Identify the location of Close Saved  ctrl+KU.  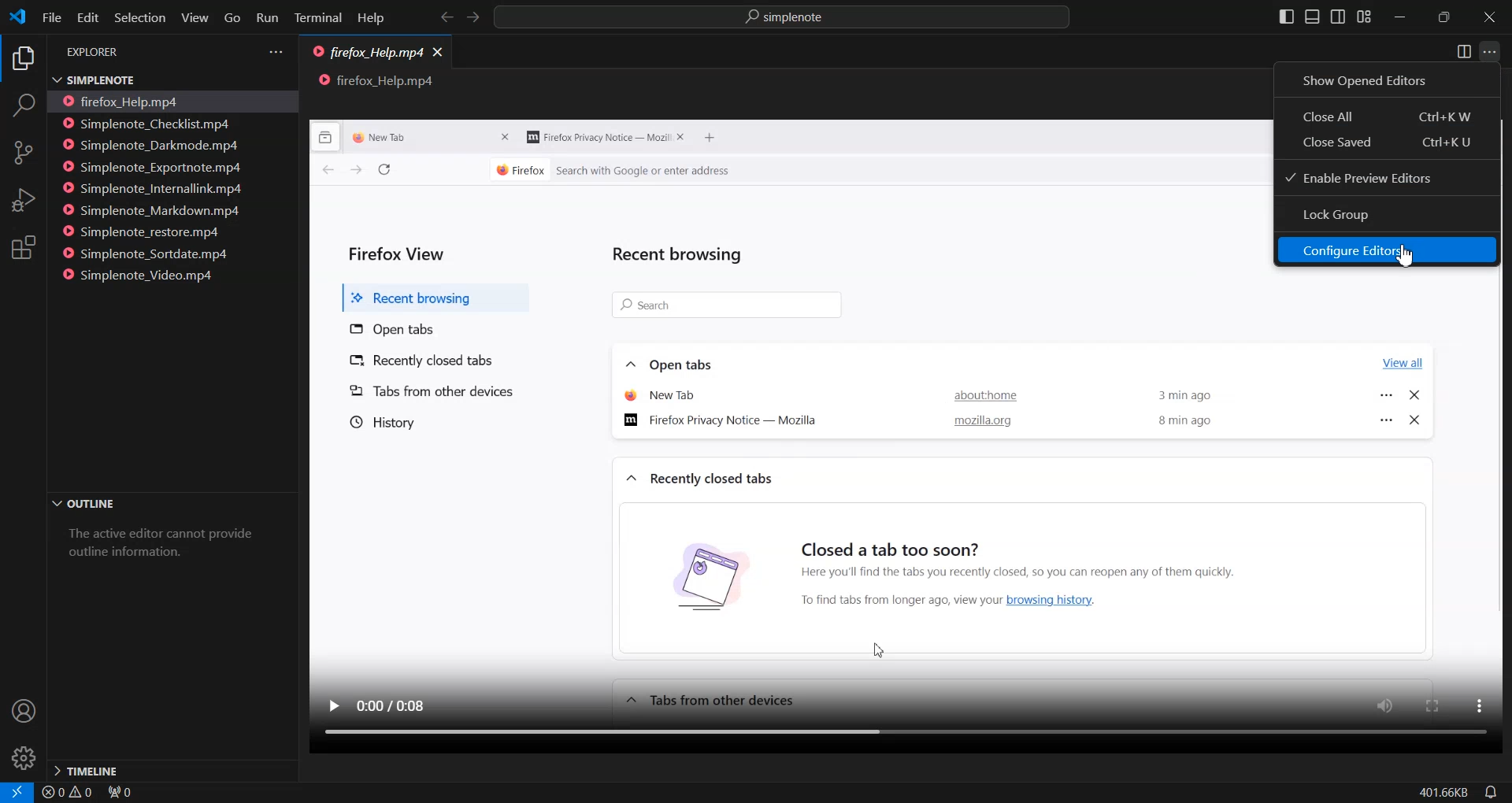
(1389, 143).